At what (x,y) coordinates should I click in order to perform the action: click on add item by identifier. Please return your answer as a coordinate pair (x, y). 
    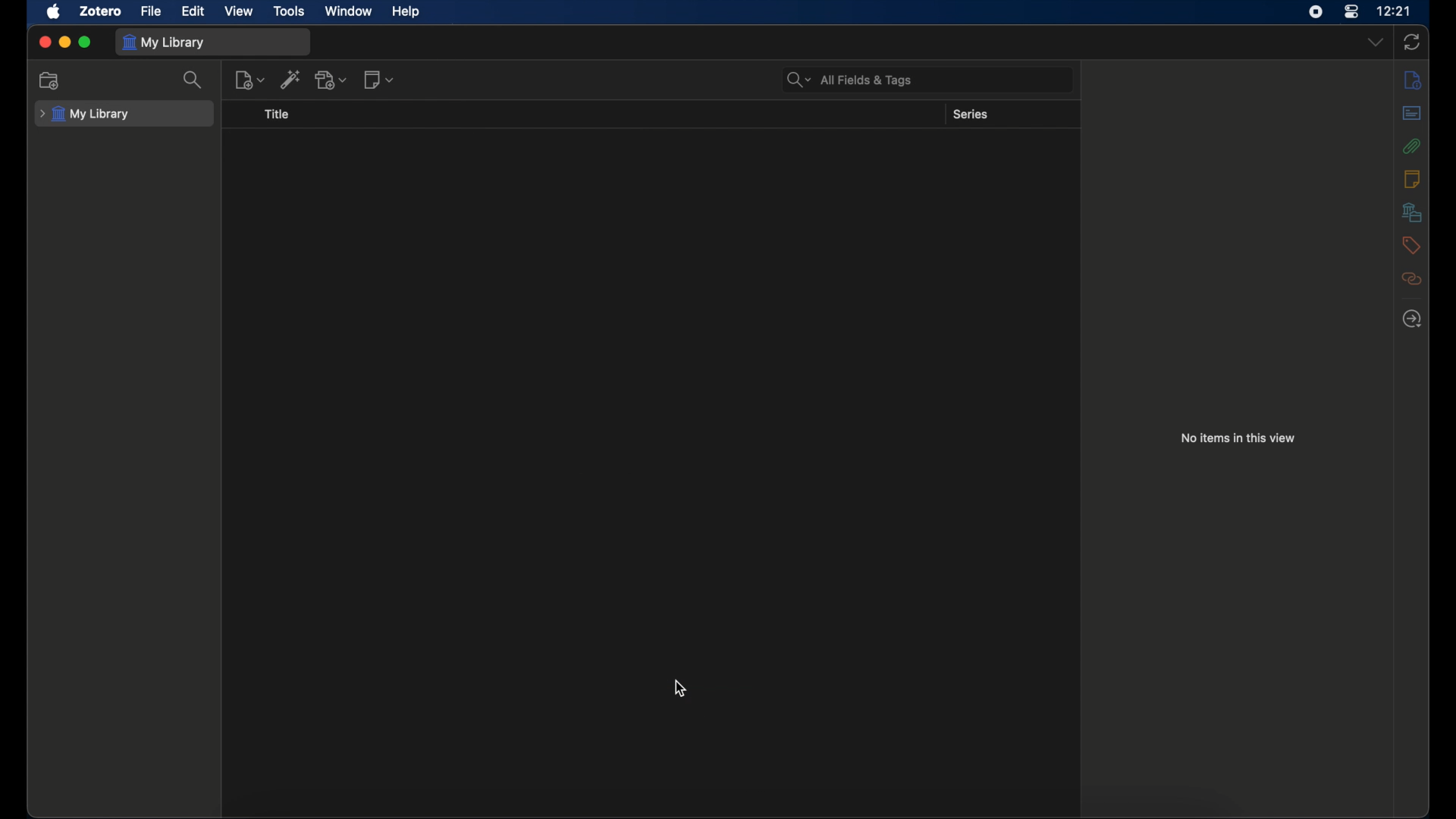
    Looking at the image, I should click on (291, 80).